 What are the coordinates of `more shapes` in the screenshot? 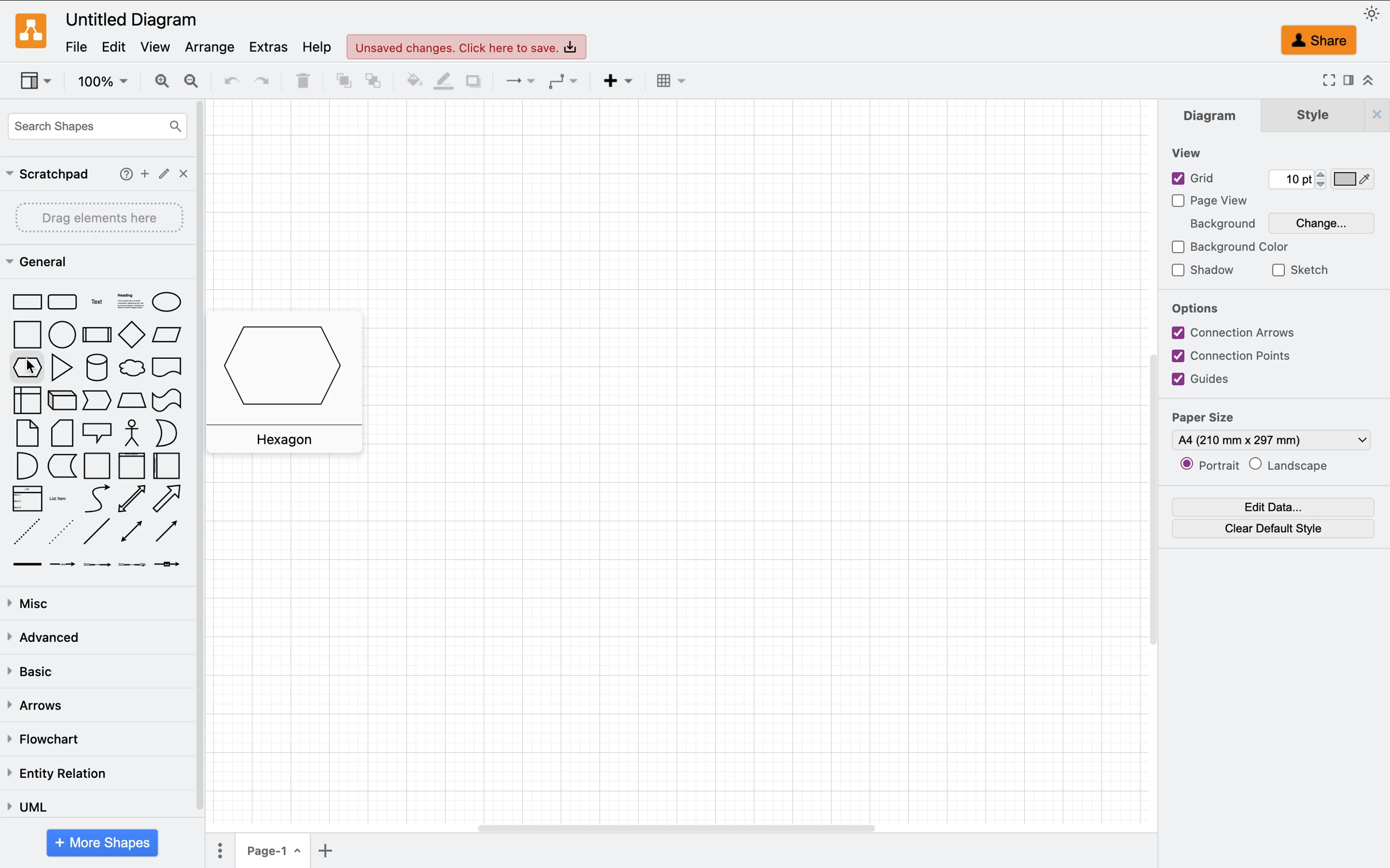 It's located at (104, 843).